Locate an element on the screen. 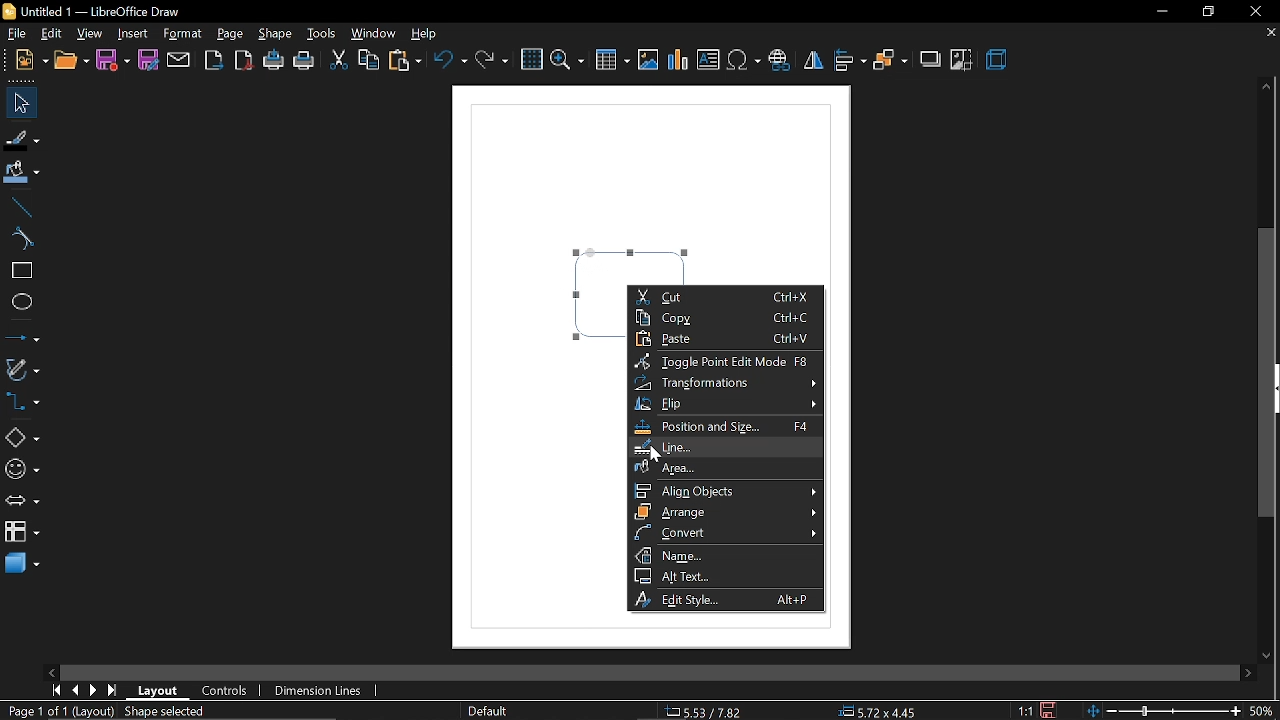 The image size is (1280, 720). grid is located at coordinates (532, 60).